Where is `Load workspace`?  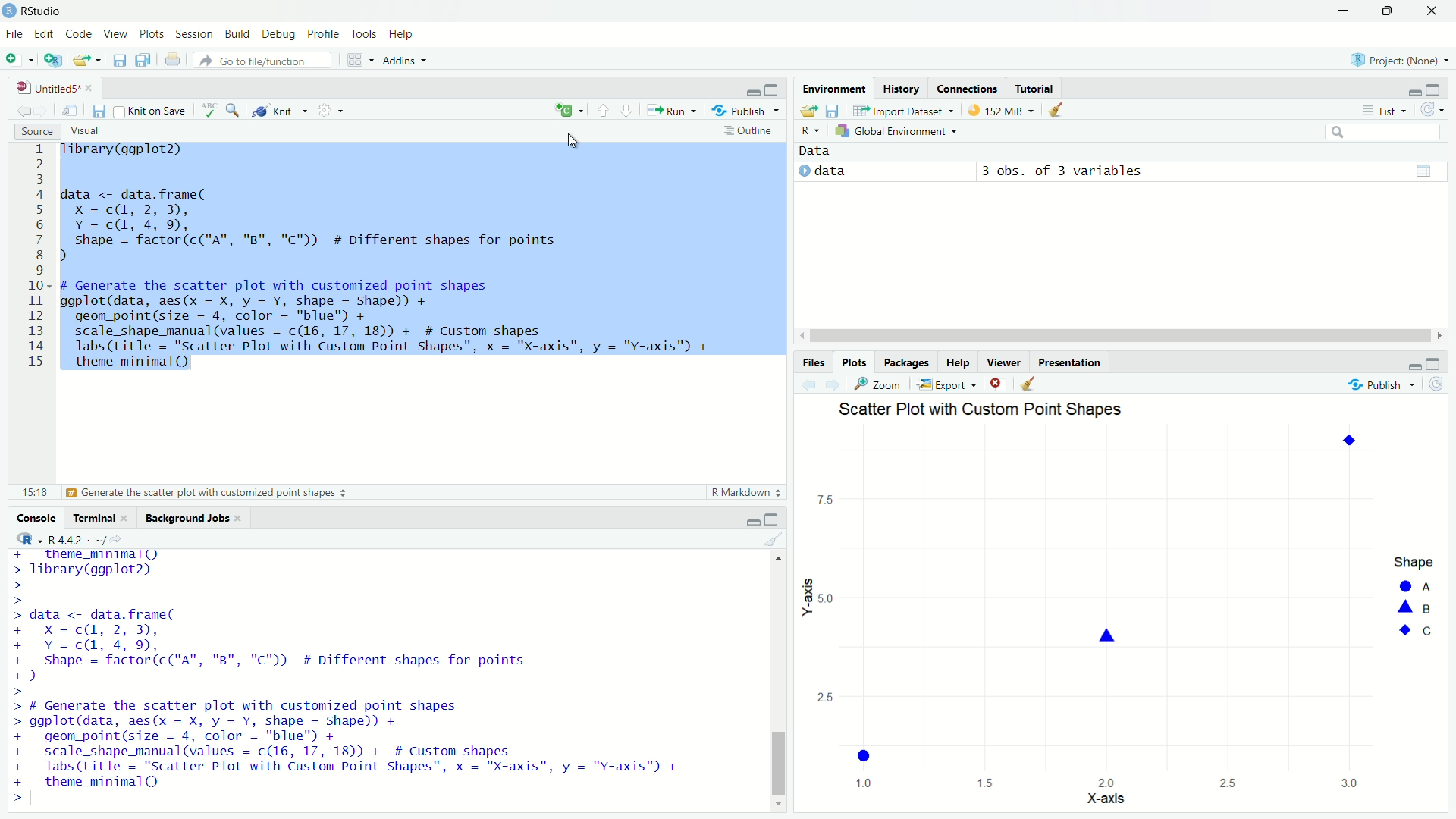
Load workspace is located at coordinates (809, 111).